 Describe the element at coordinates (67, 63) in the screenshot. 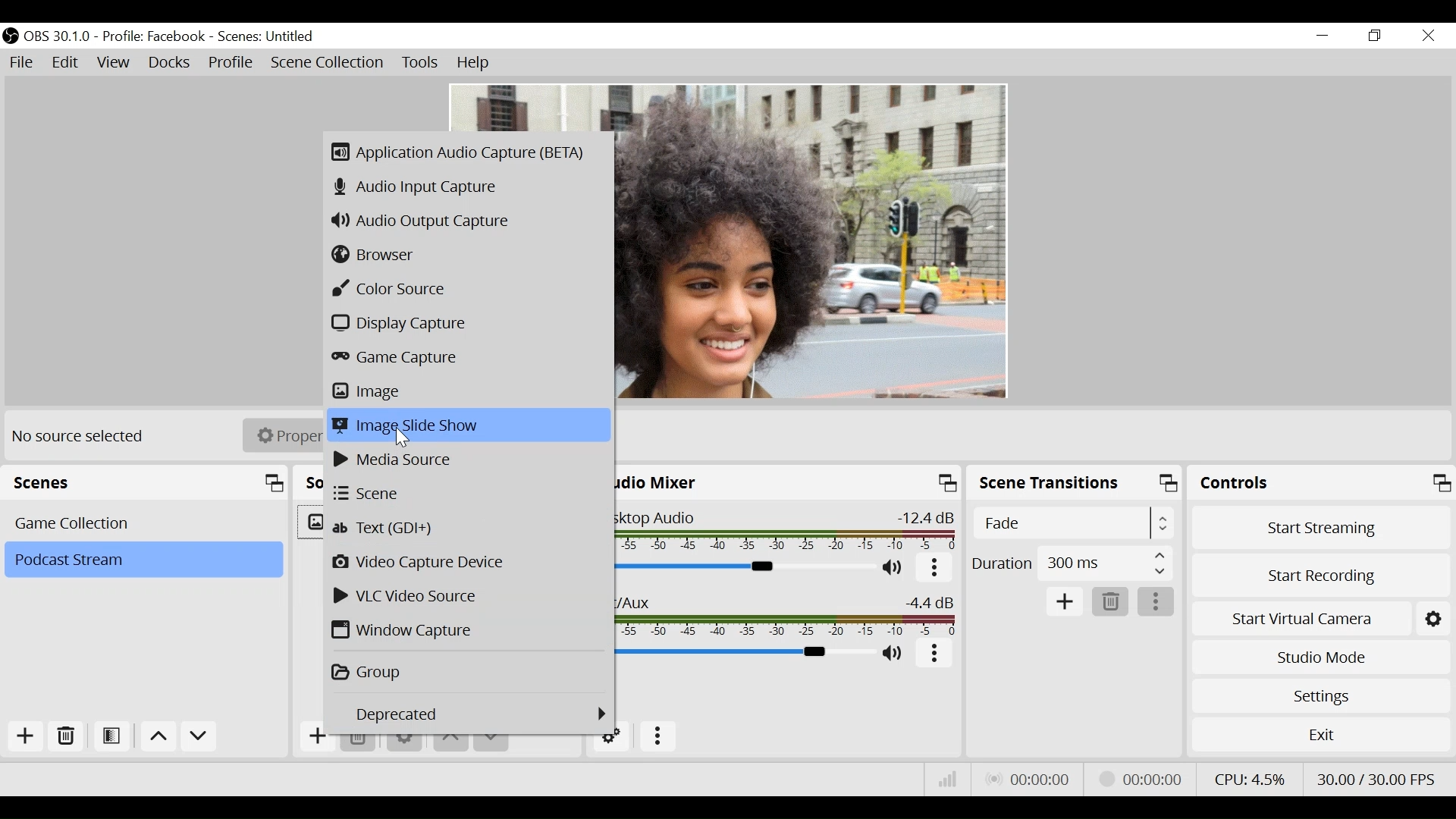

I see `Edit` at that location.